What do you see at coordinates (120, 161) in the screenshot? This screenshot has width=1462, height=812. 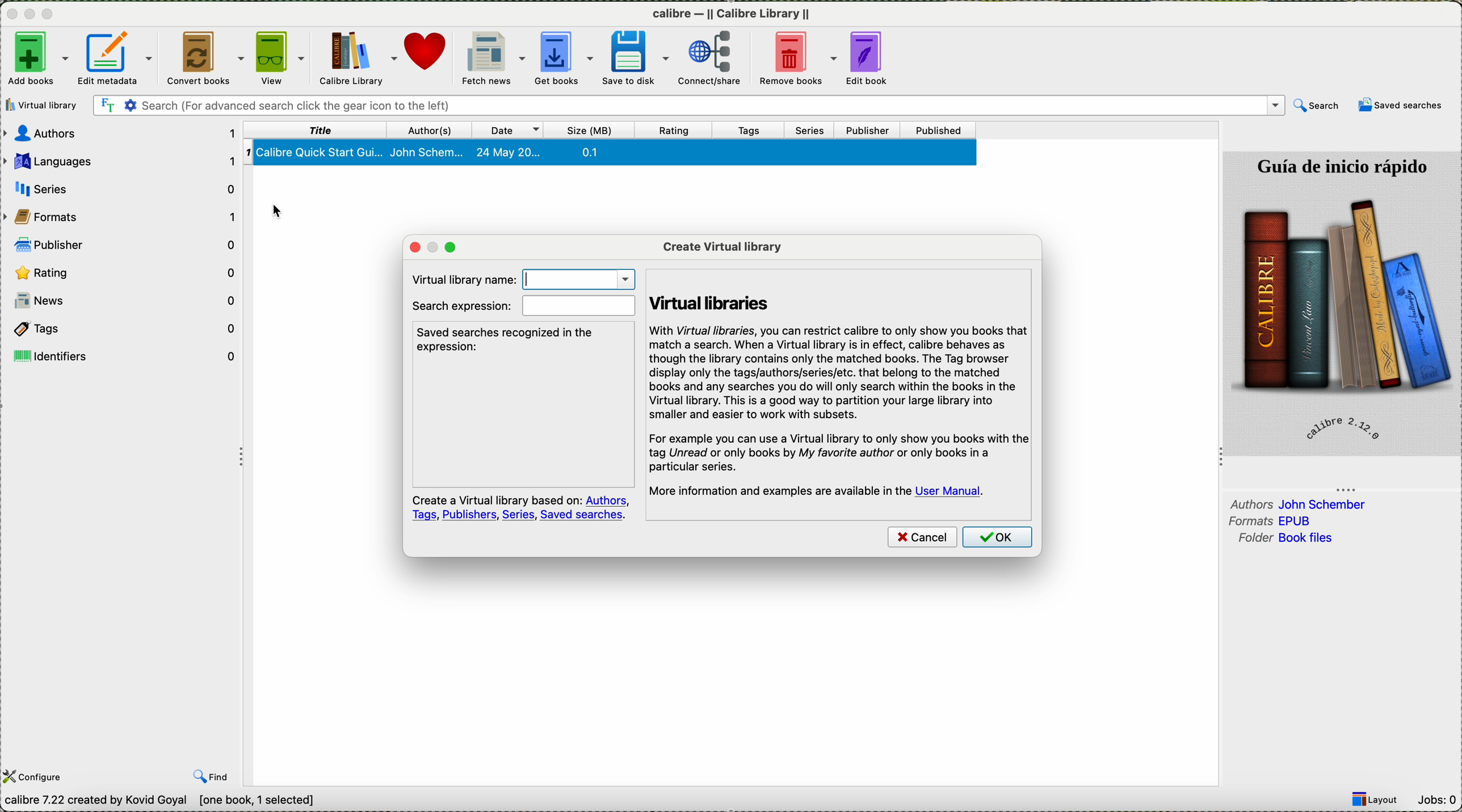 I see `languages` at bounding box center [120, 161].